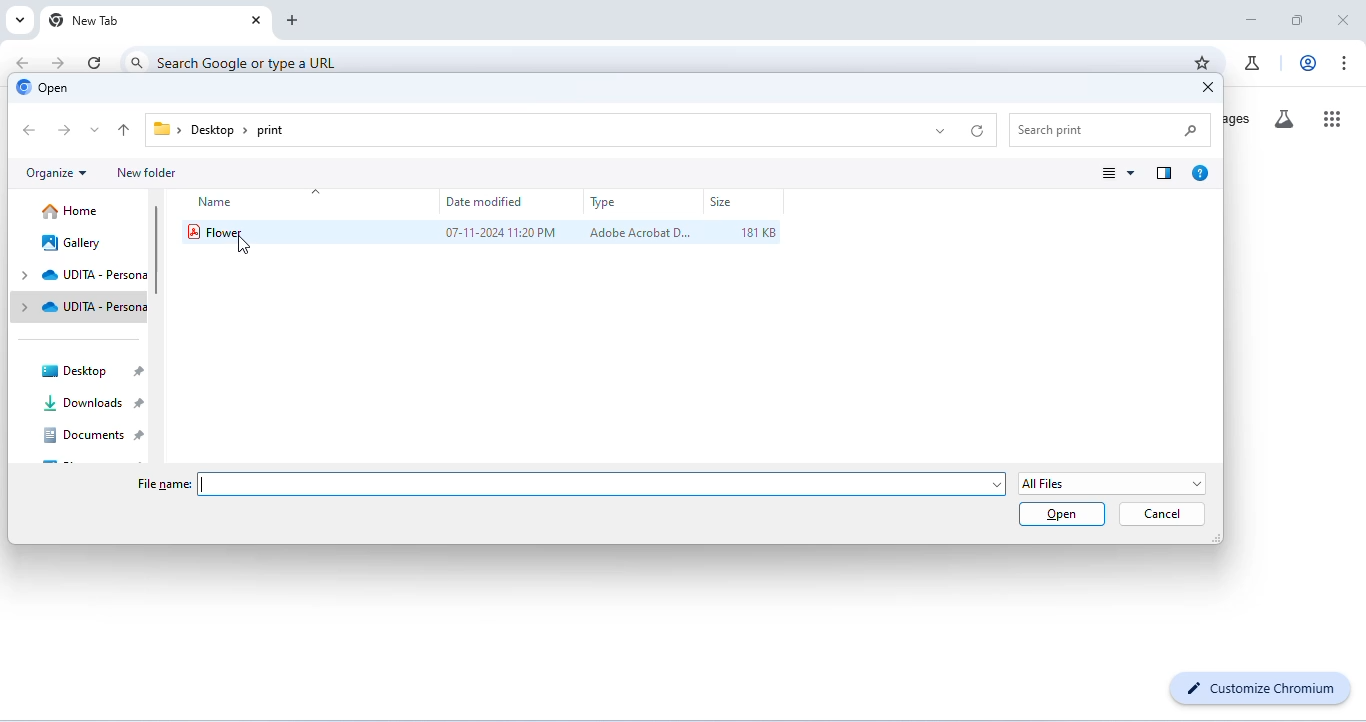 This screenshot has width=1366, height=722. I want to click on documents, so click(93, 436).